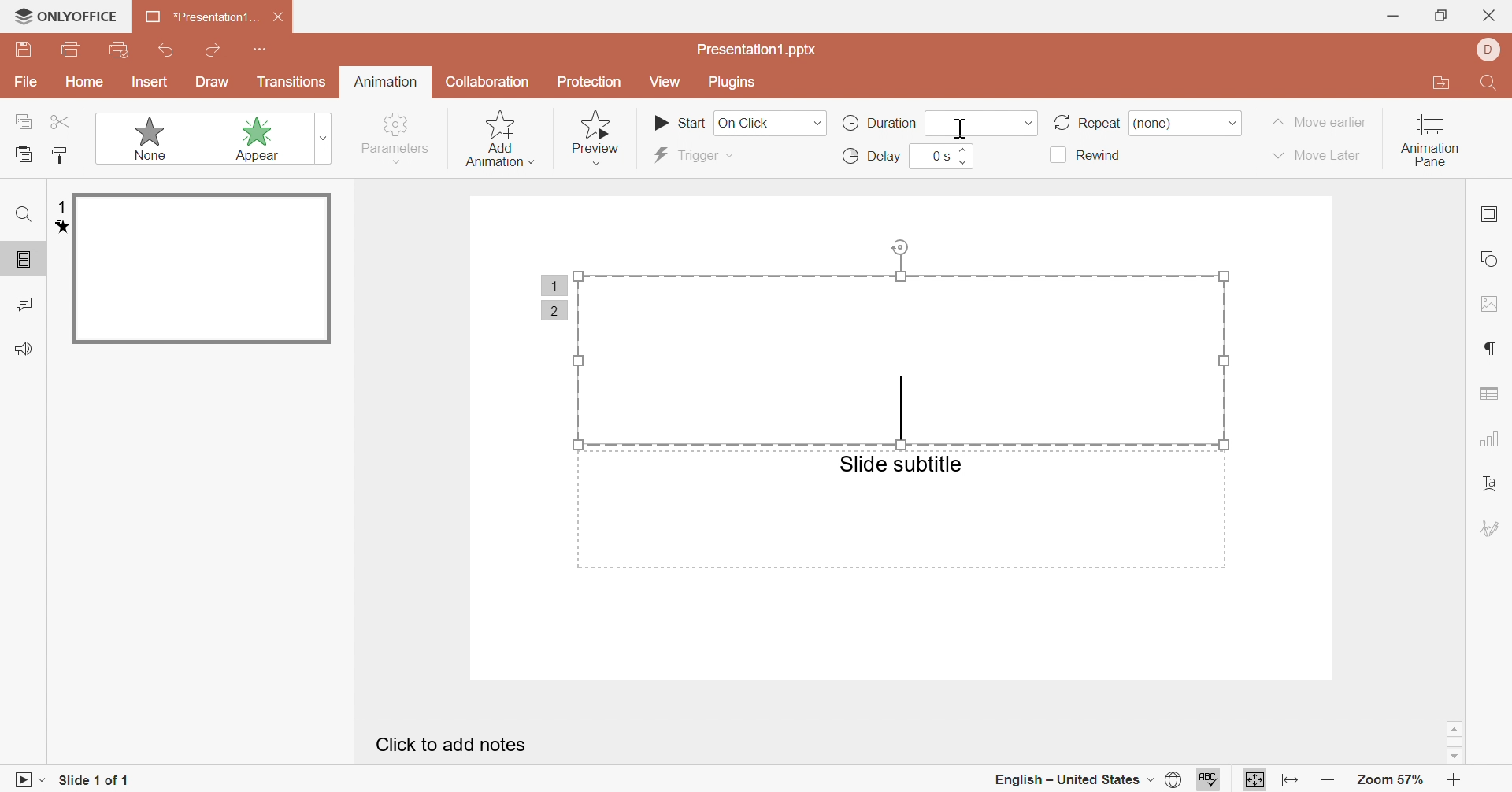 Image resolution: width=1512 pixels, height=792 pixels. I want to click on insert, so click(149, 82).